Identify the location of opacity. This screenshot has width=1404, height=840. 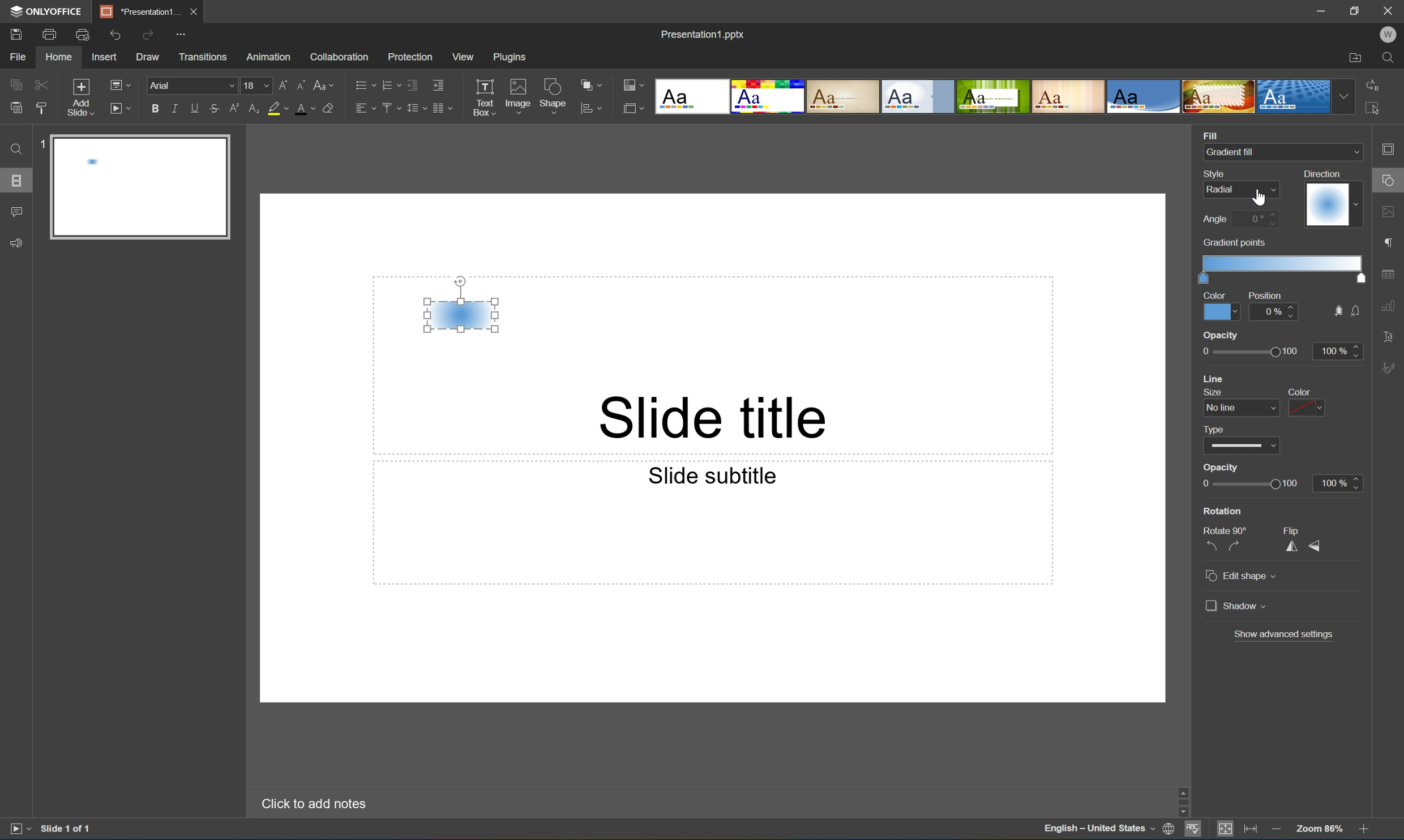
(1222, 335).